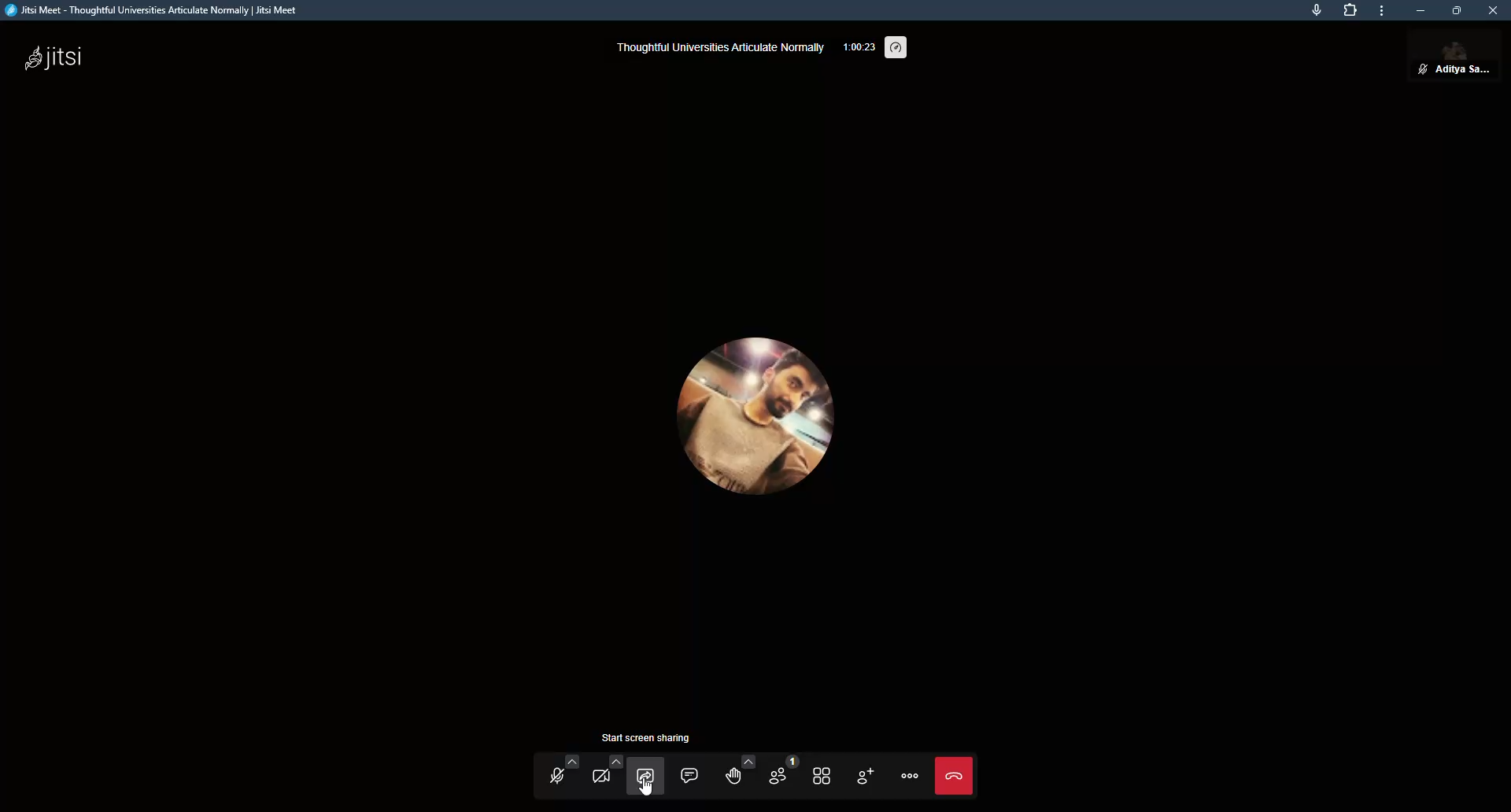 The width and height of the screenshot is (1511, 812). What do you see at coordinates (605, 777) in the screenshot?
I see `start camera` at bounding box center [605, 777].